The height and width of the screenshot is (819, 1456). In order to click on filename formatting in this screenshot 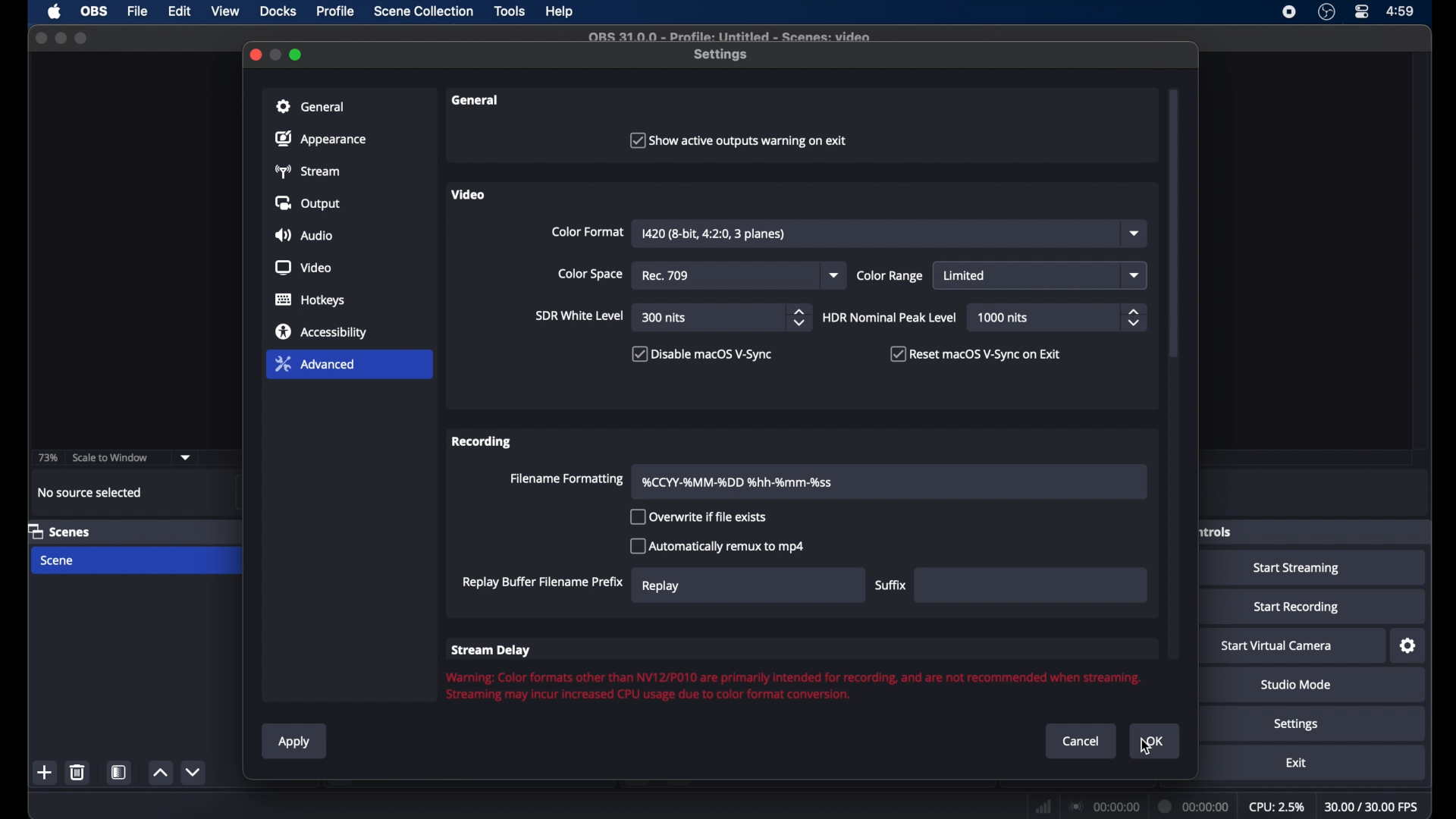, I will do `click(567, 479)`.